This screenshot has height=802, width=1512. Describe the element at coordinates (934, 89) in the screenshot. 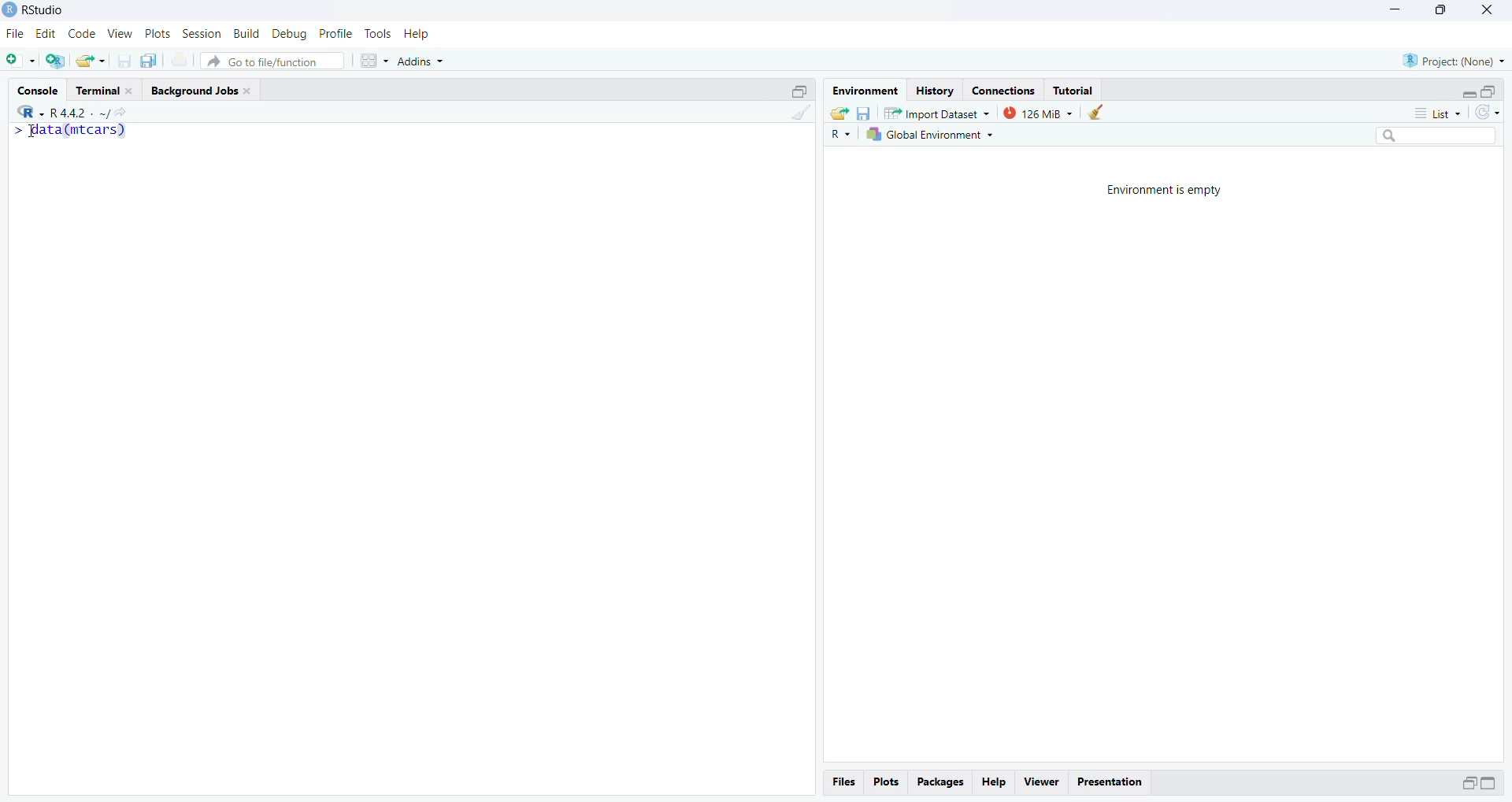

I see `History` at that location.